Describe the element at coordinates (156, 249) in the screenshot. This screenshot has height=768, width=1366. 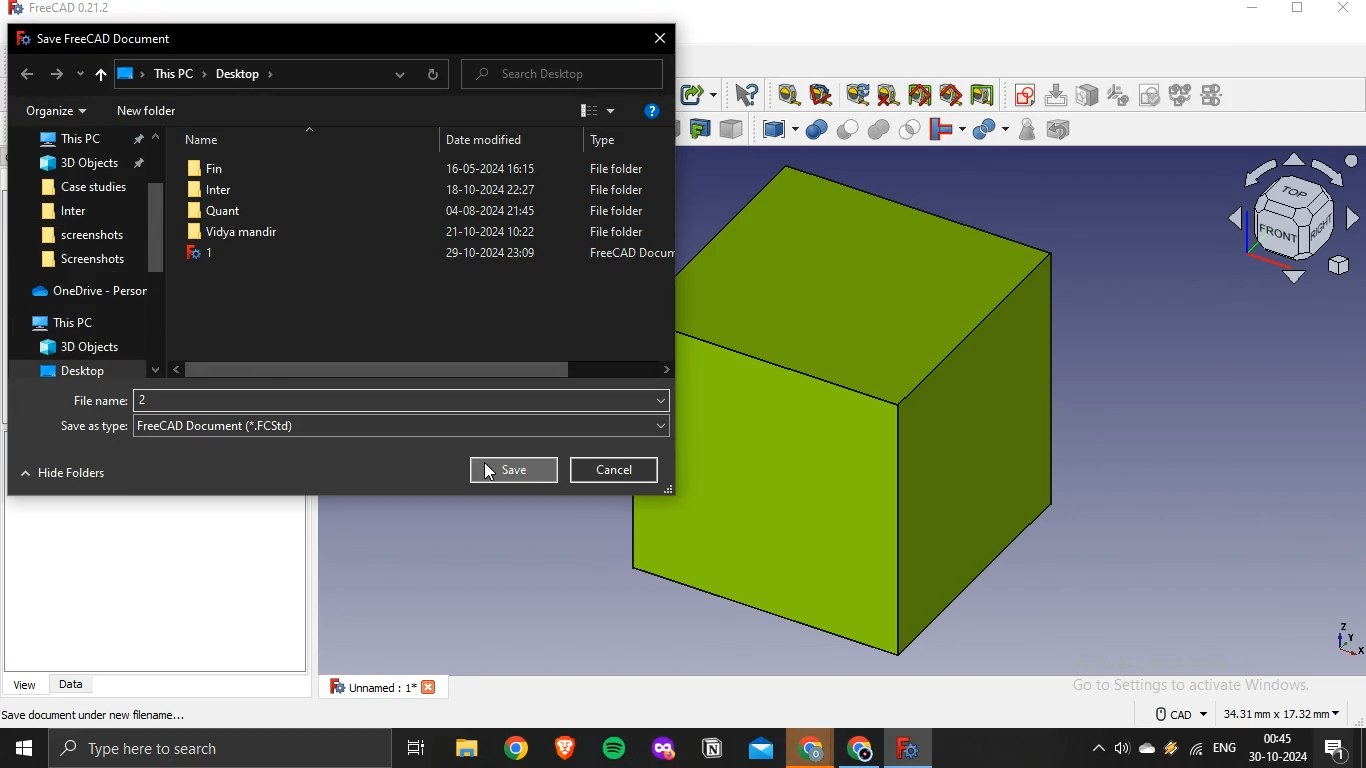
I see `scrollbar` at that location.